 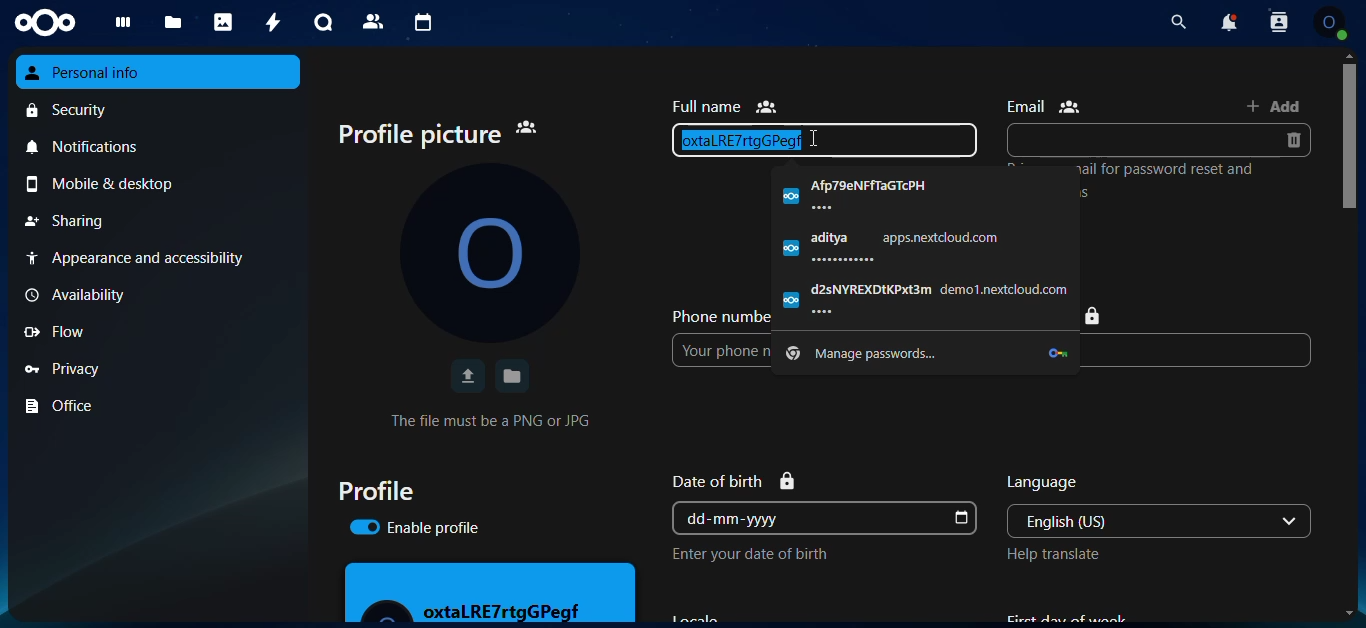 What do you see at coordinates (489, 252) in the screenshot?
I see `profile picture` at bounding box center [489, 252].